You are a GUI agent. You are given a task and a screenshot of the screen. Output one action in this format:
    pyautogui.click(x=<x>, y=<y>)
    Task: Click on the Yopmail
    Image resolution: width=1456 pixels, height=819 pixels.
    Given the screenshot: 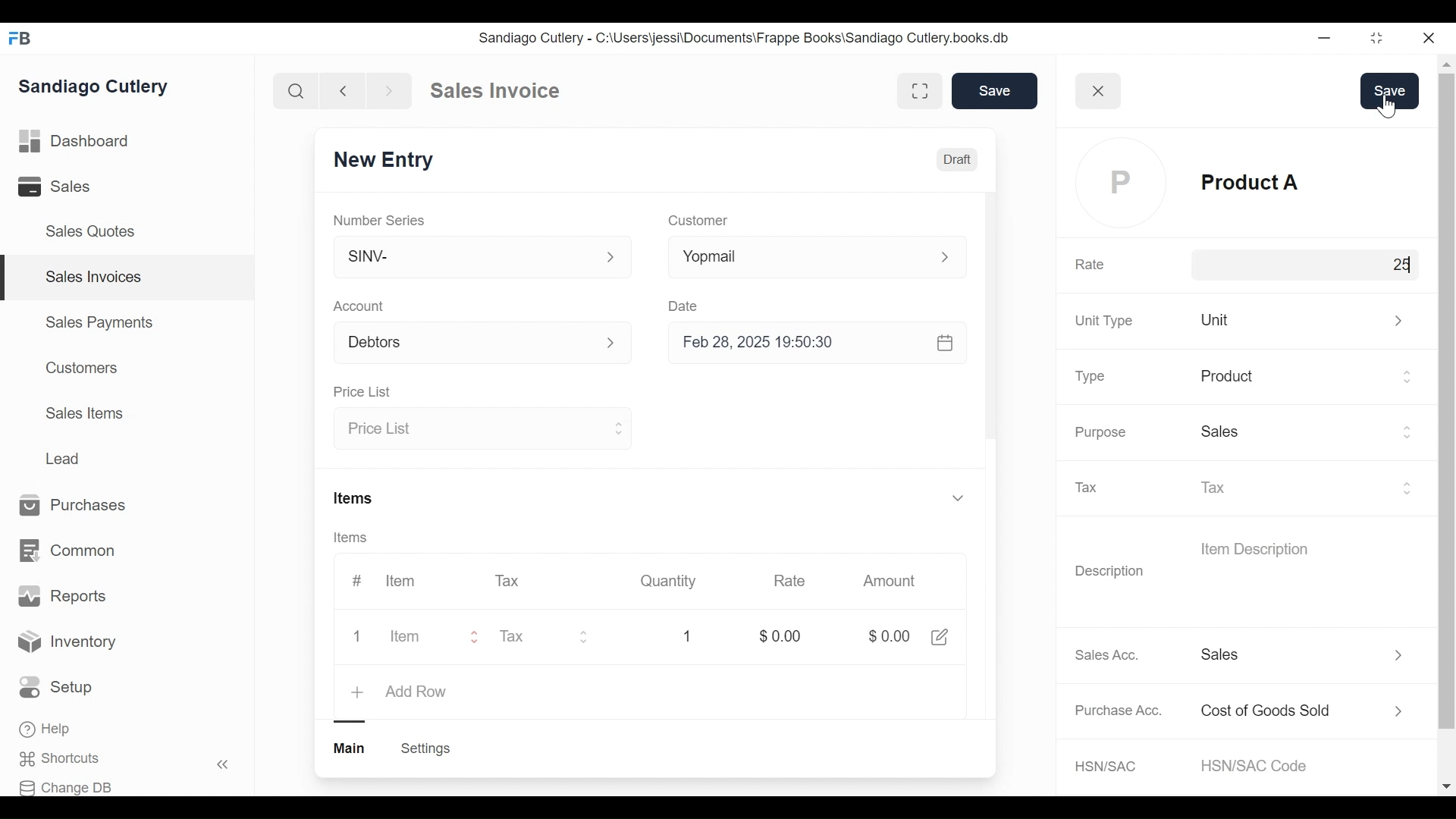 What is the action you would take?
    pyautogui.click(x=821, y=257)
    